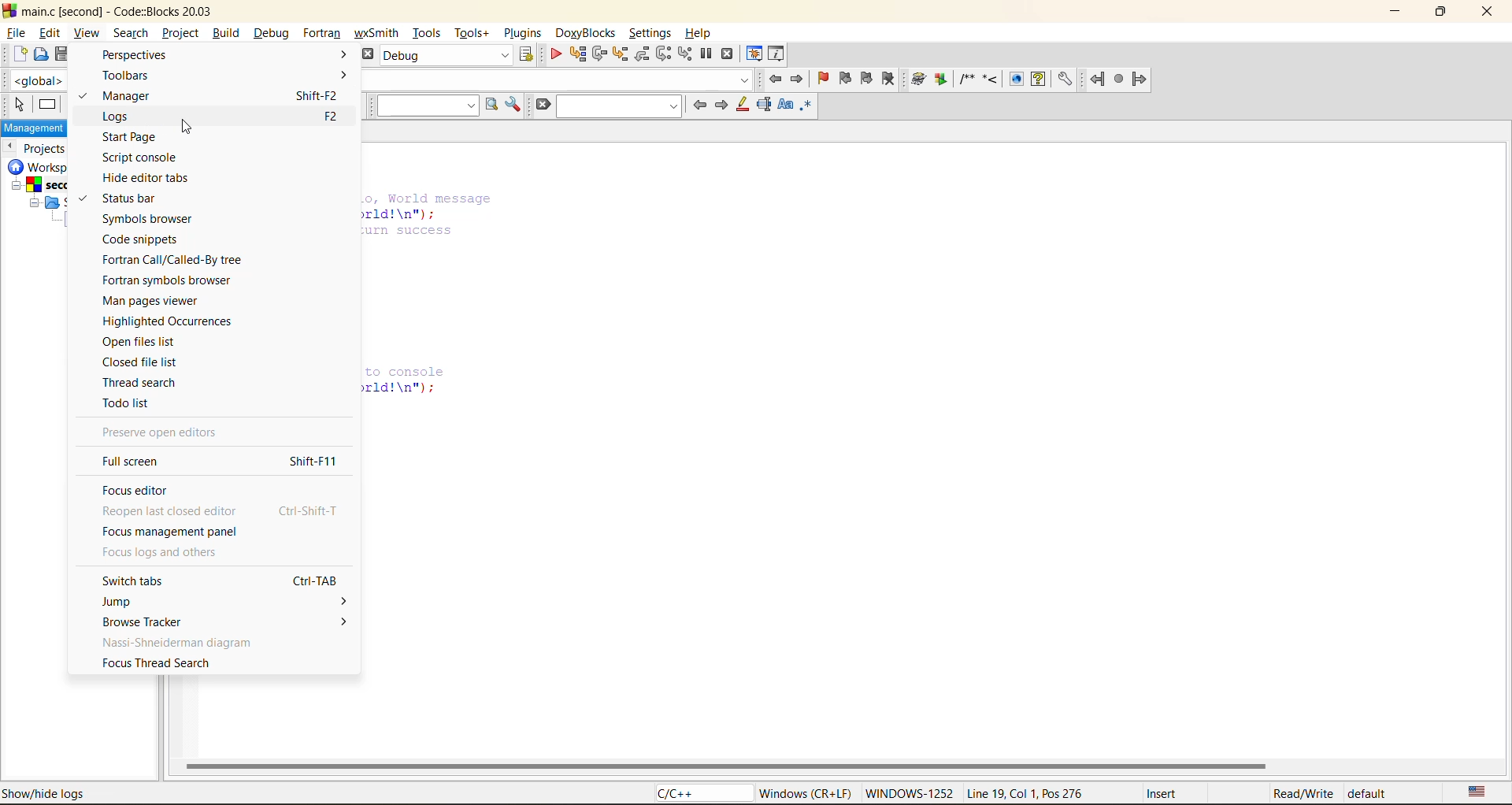 The image size is (1512, 805). What do you see at coordinates (742, 108) in the screenshot?
I see `highlight` at bounding box center [742, 108].